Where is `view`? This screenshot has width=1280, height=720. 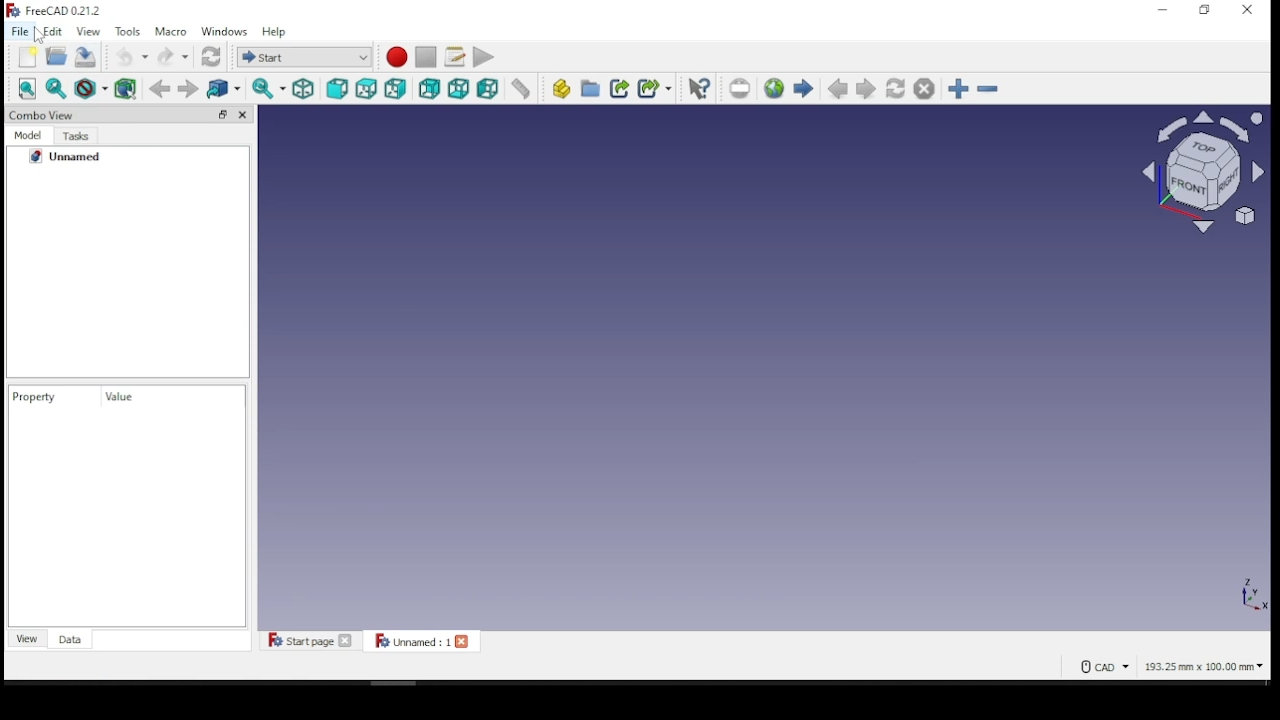
view is located at coordinates (87, 31).